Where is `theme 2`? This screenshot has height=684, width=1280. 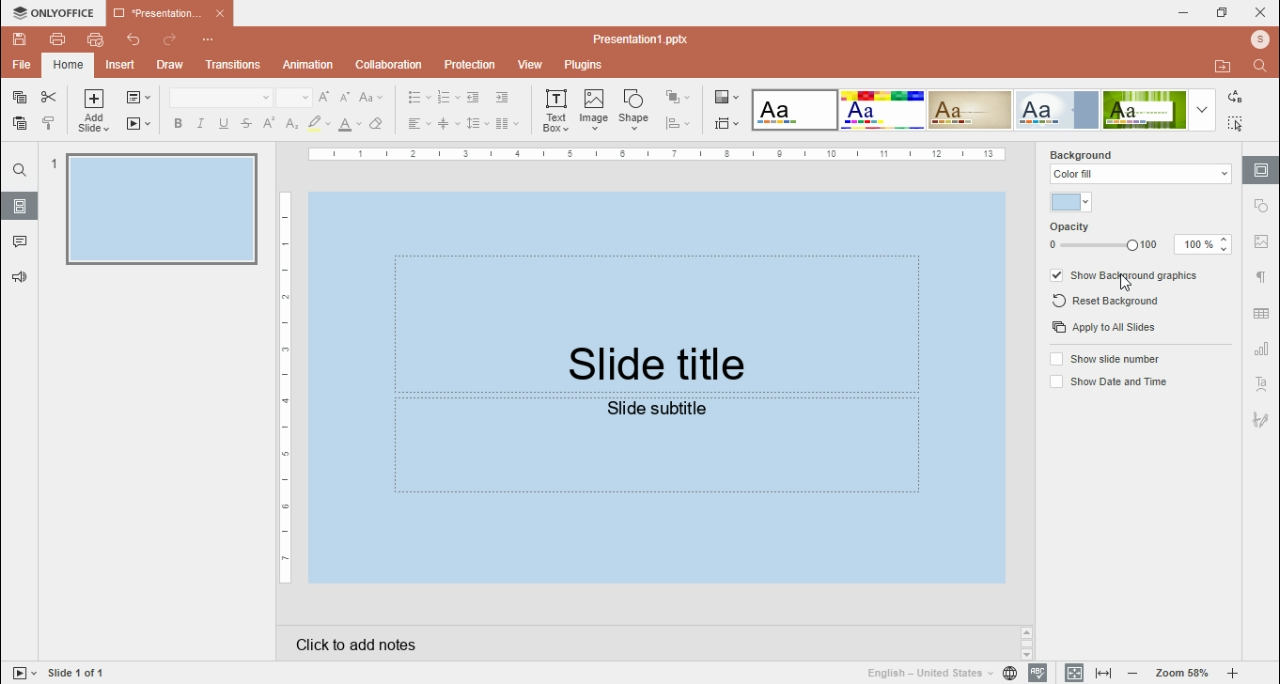 theme 2 is located at coordinates (885, 110).